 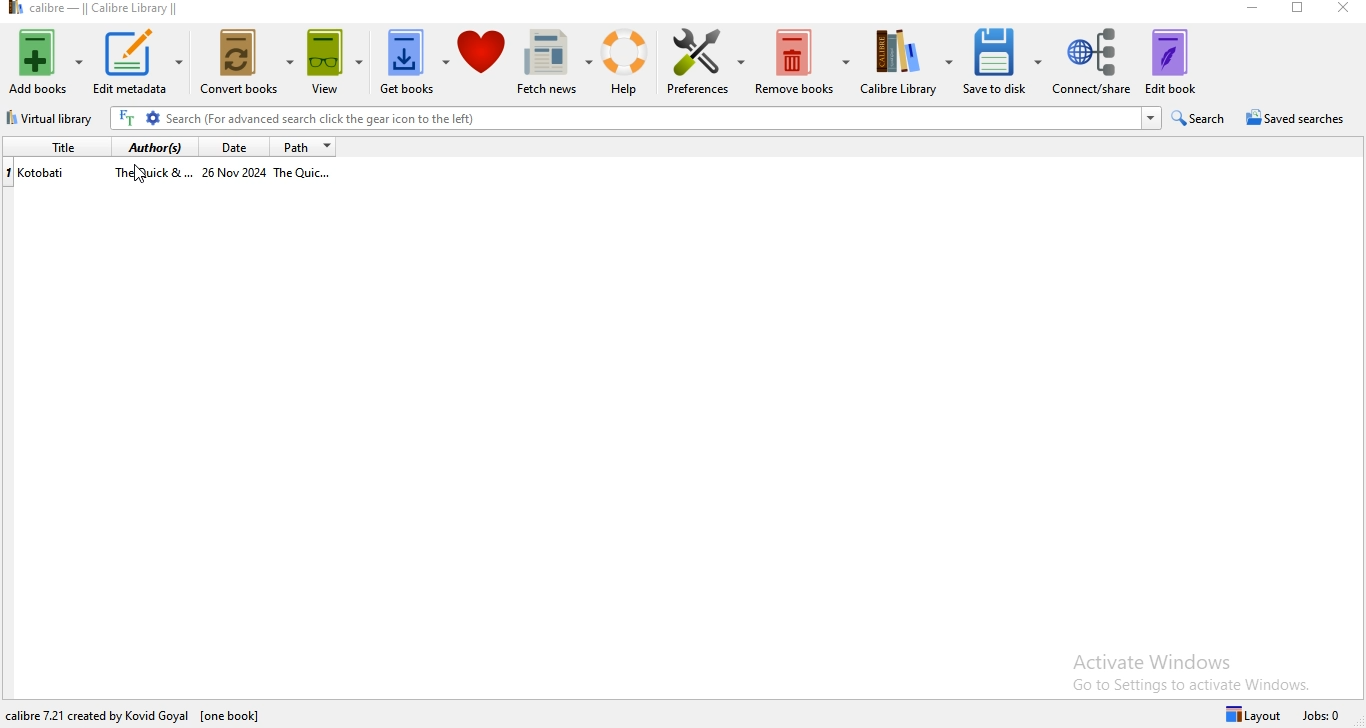 What do you see at coordinates (127, 712) in the screenshot?
I see `calibre 7.21 created  by Kovid goyal [one book]` at bounding box center [127, 712].